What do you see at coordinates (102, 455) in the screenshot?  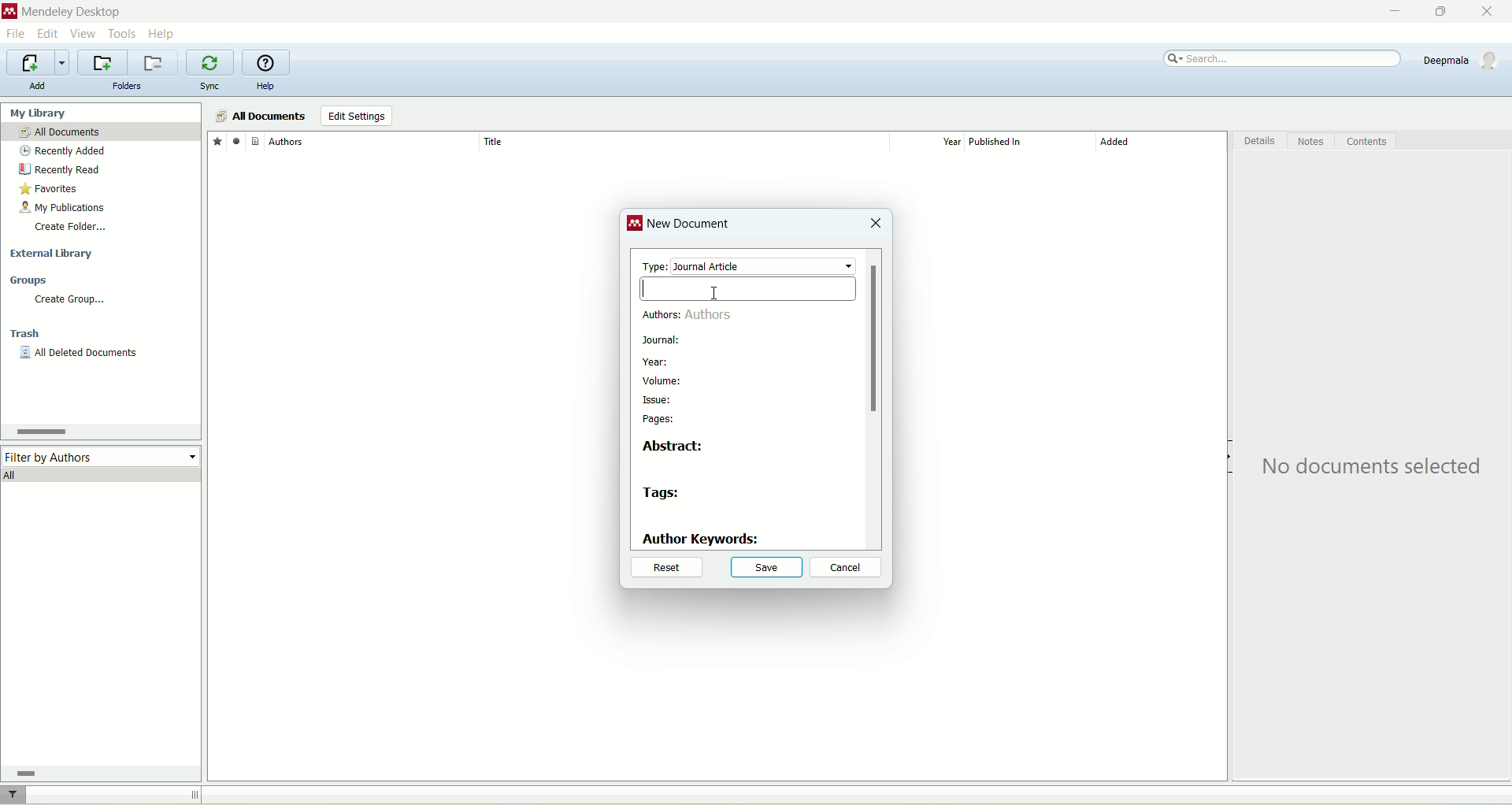 I see `filter by author` at bounding box center [102, 455].